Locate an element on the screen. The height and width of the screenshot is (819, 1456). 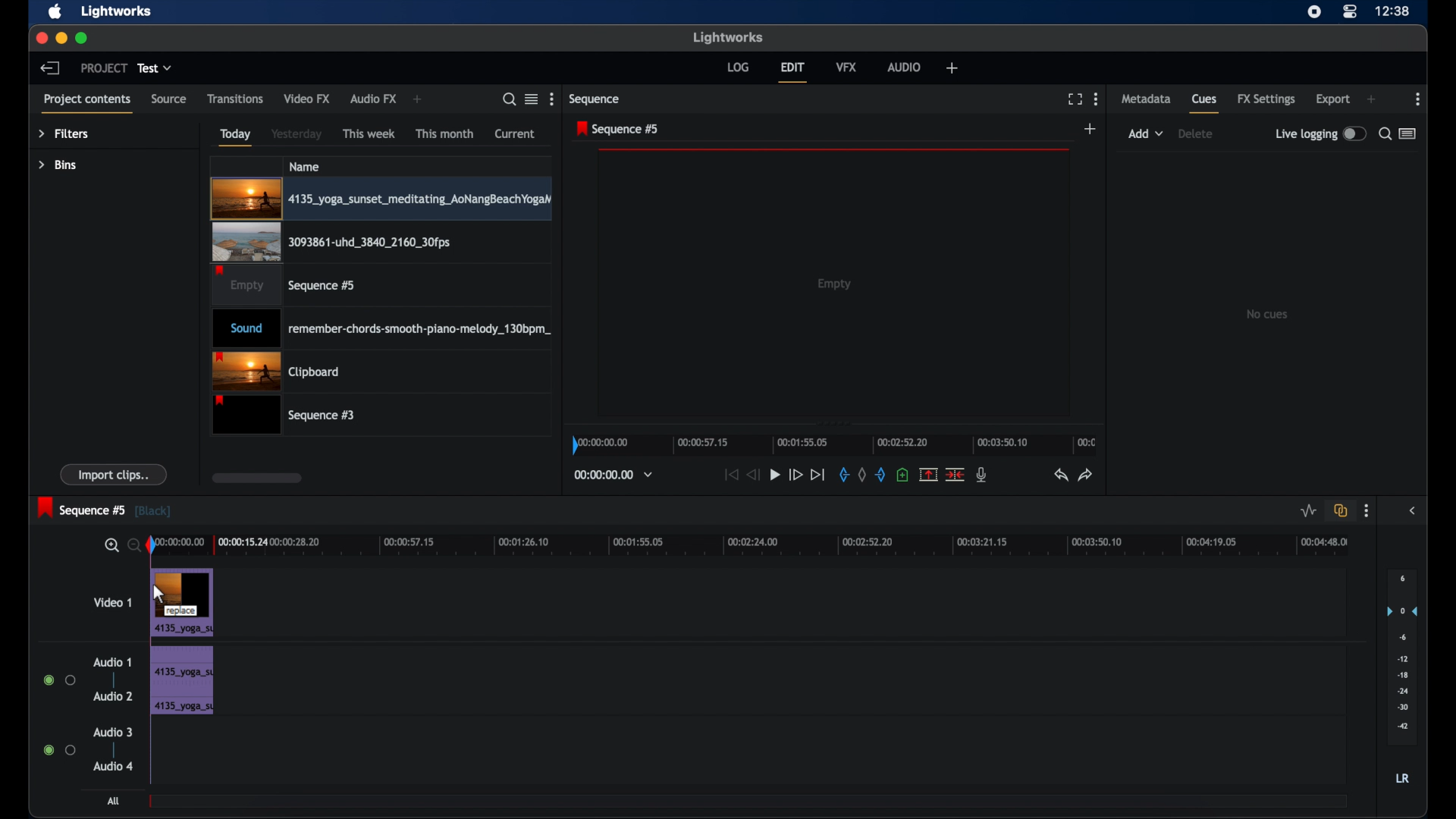
timecodes  and reels is located at coordinates (614, 475).